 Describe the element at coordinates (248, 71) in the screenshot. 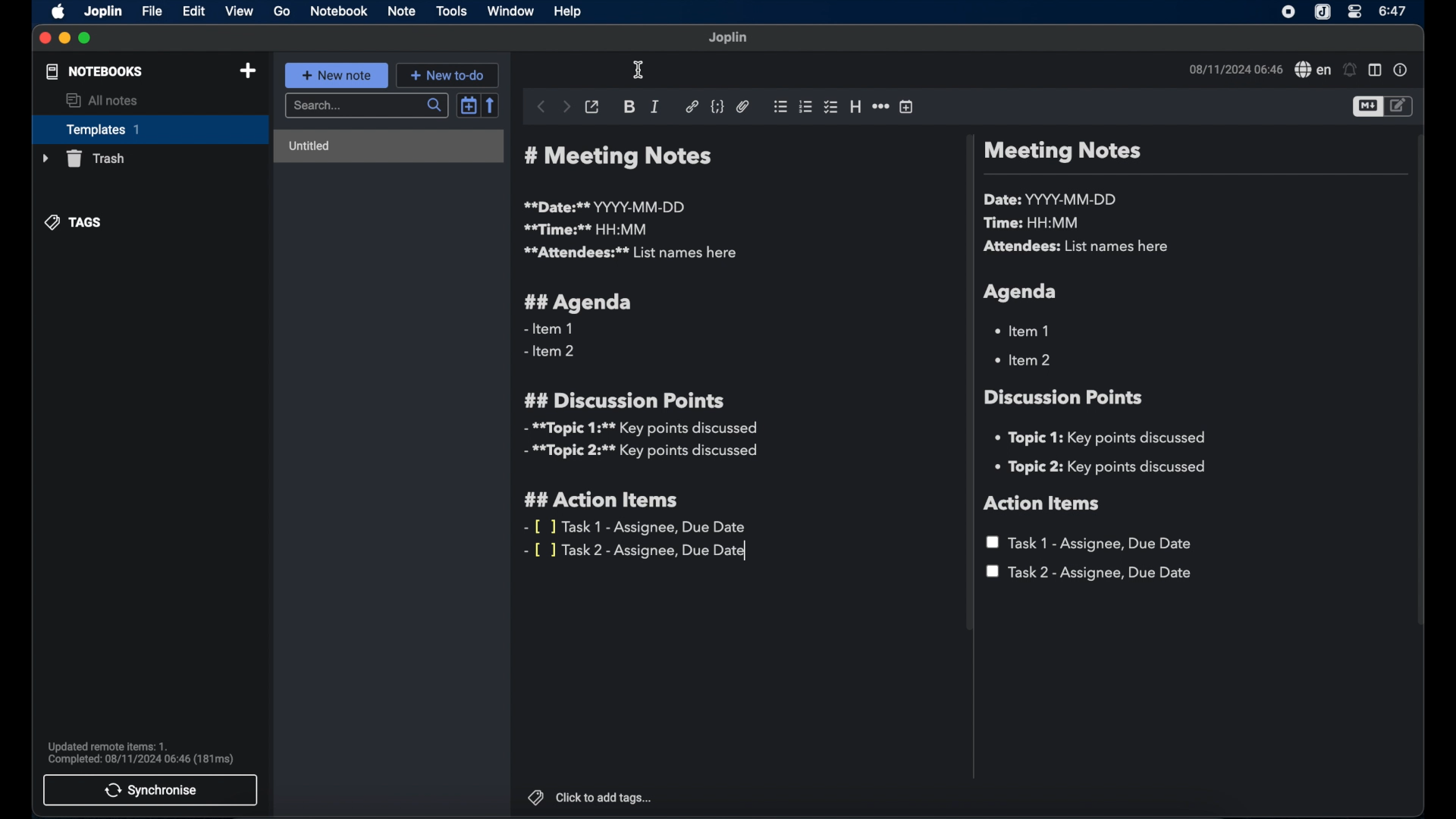

I see `add note` at that location.